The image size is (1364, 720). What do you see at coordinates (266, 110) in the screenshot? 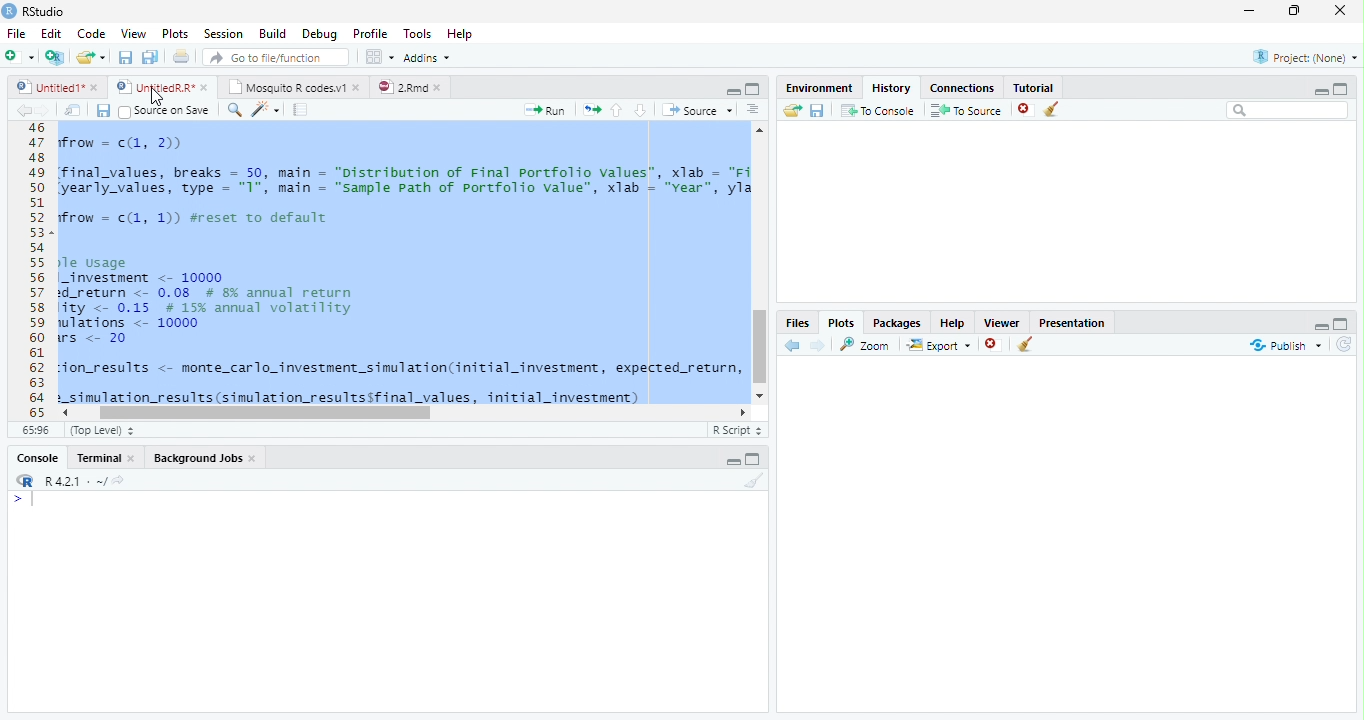
I see `Code Tools` at bounding box center [266, 110].